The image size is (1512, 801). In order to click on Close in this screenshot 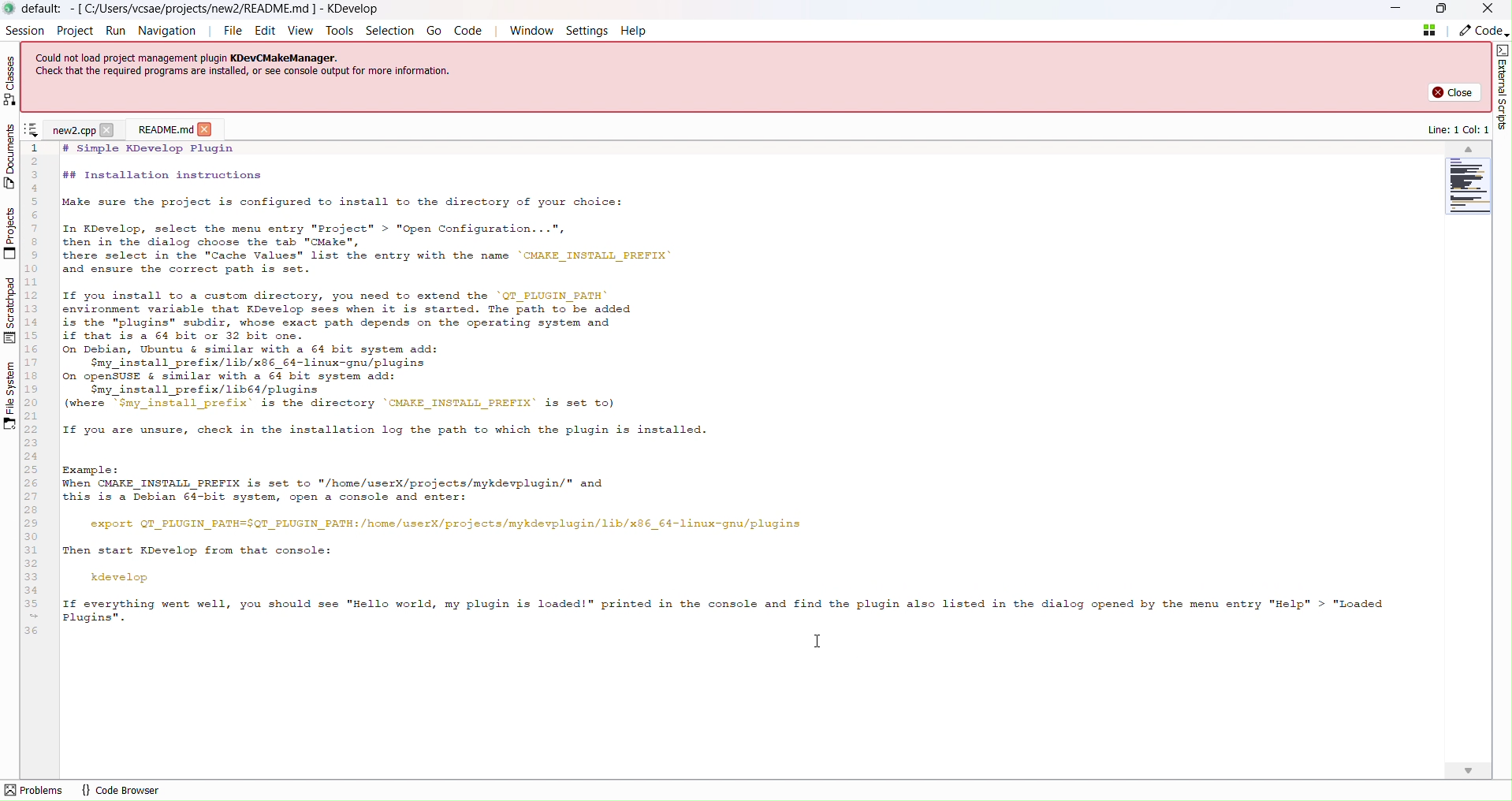, I will do `click(1490, 9)`.